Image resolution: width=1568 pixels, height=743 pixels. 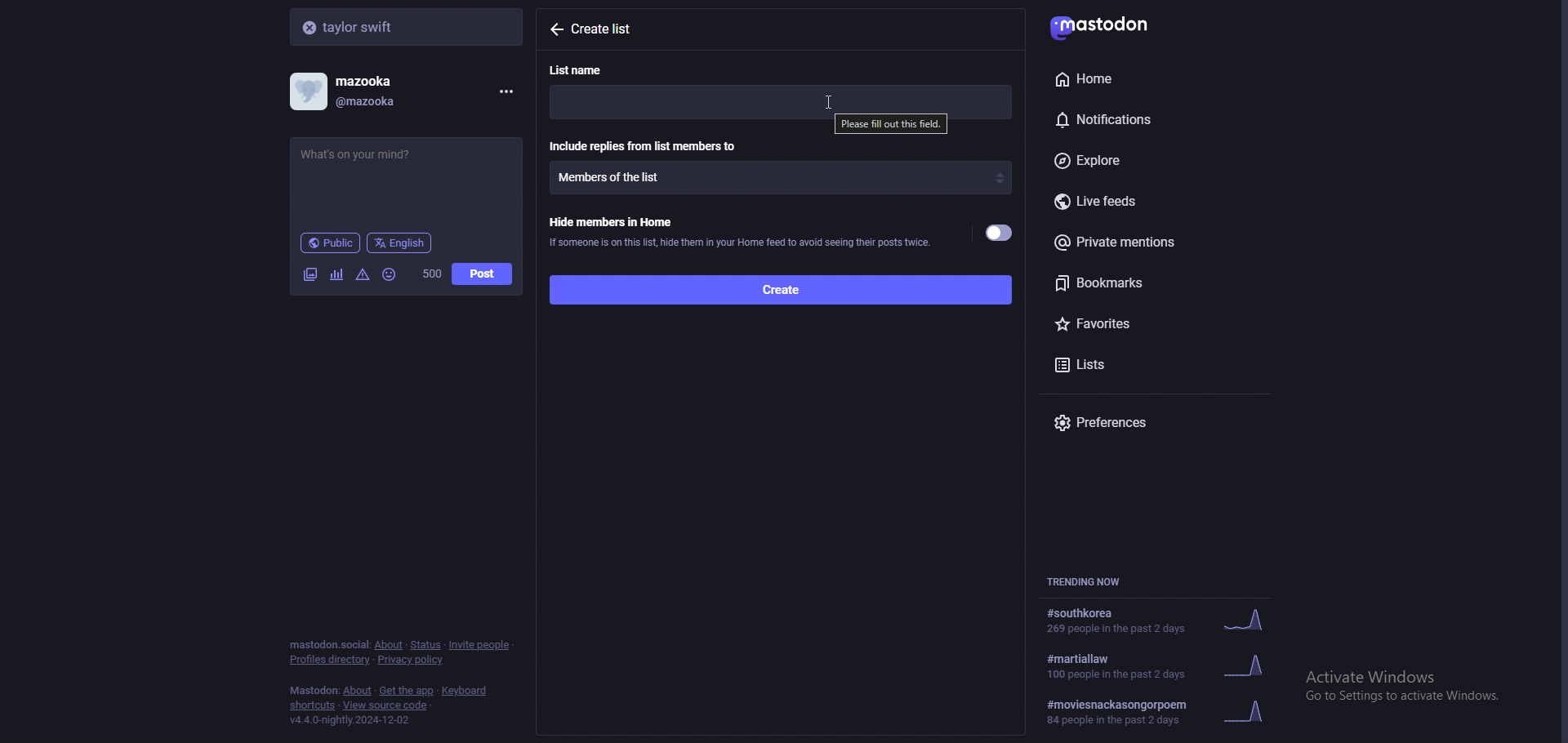 What do you see at coordinates (482, 274) in the screenshot?
I see `post` at bounding box center [482, 274].